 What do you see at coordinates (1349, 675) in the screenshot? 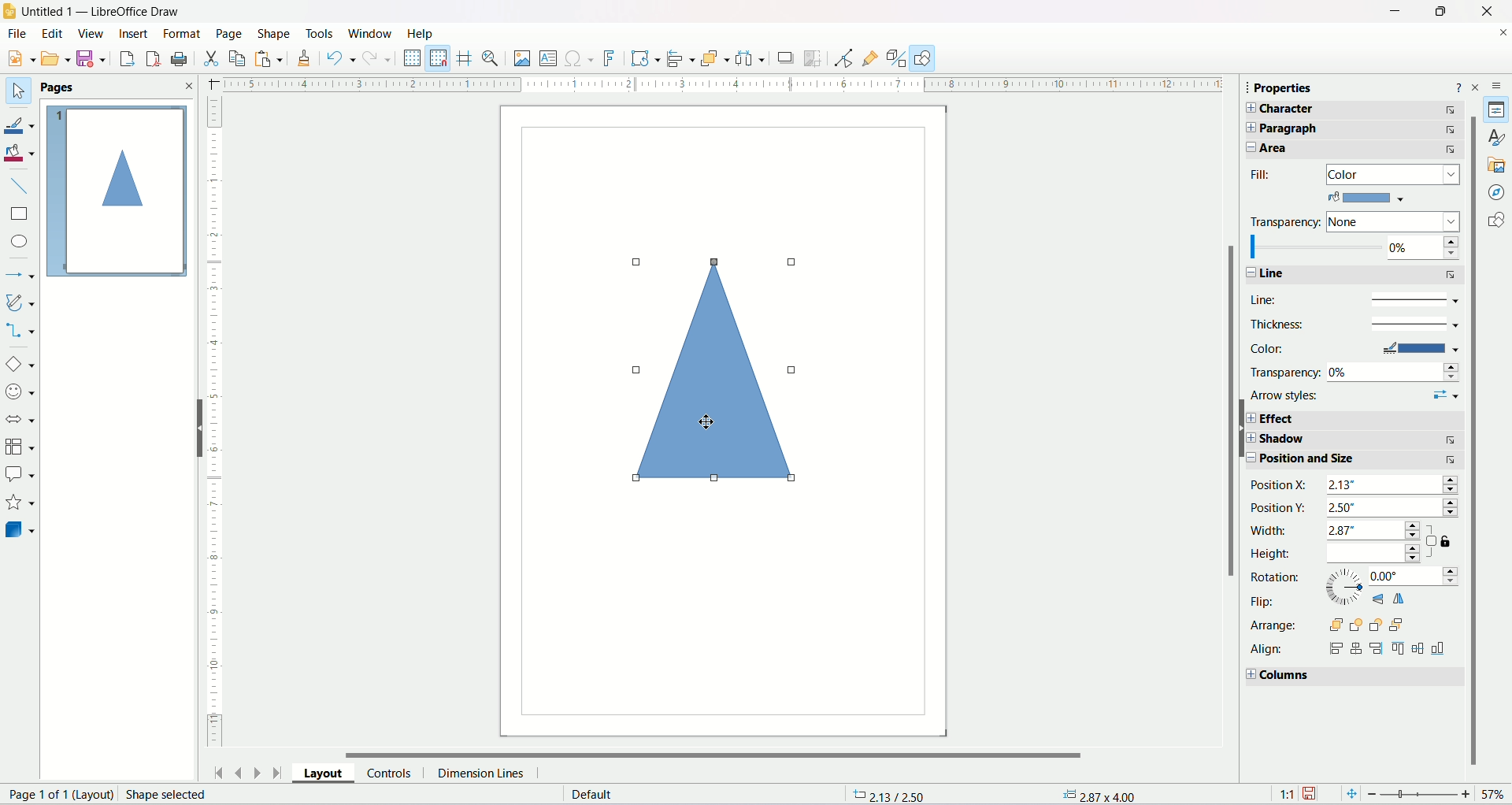
I see `column` at bounding box center [1349, 675].